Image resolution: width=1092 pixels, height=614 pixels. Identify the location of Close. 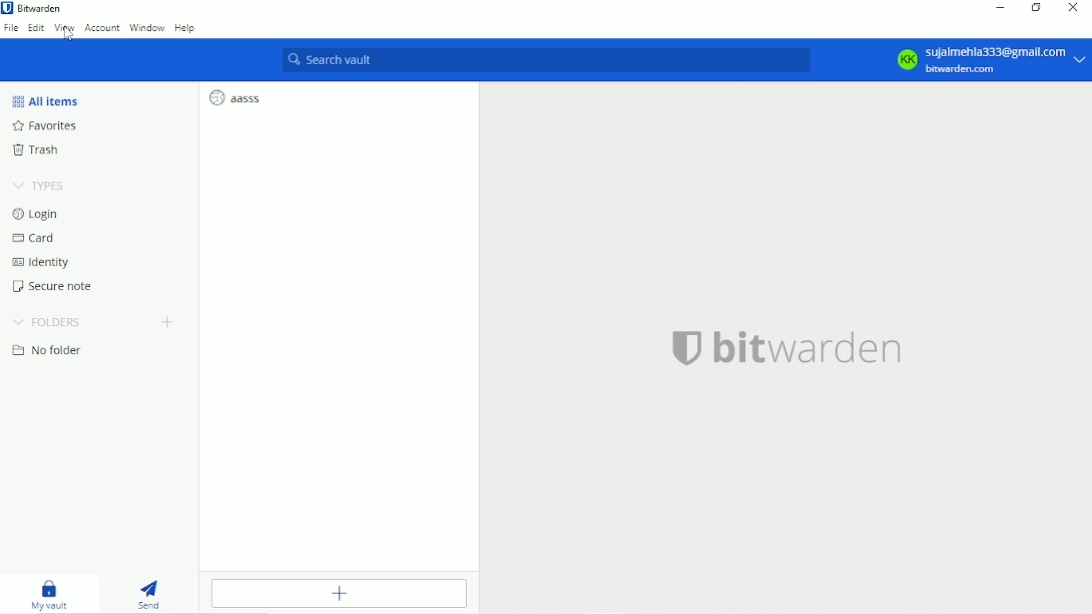
(1073, 8).